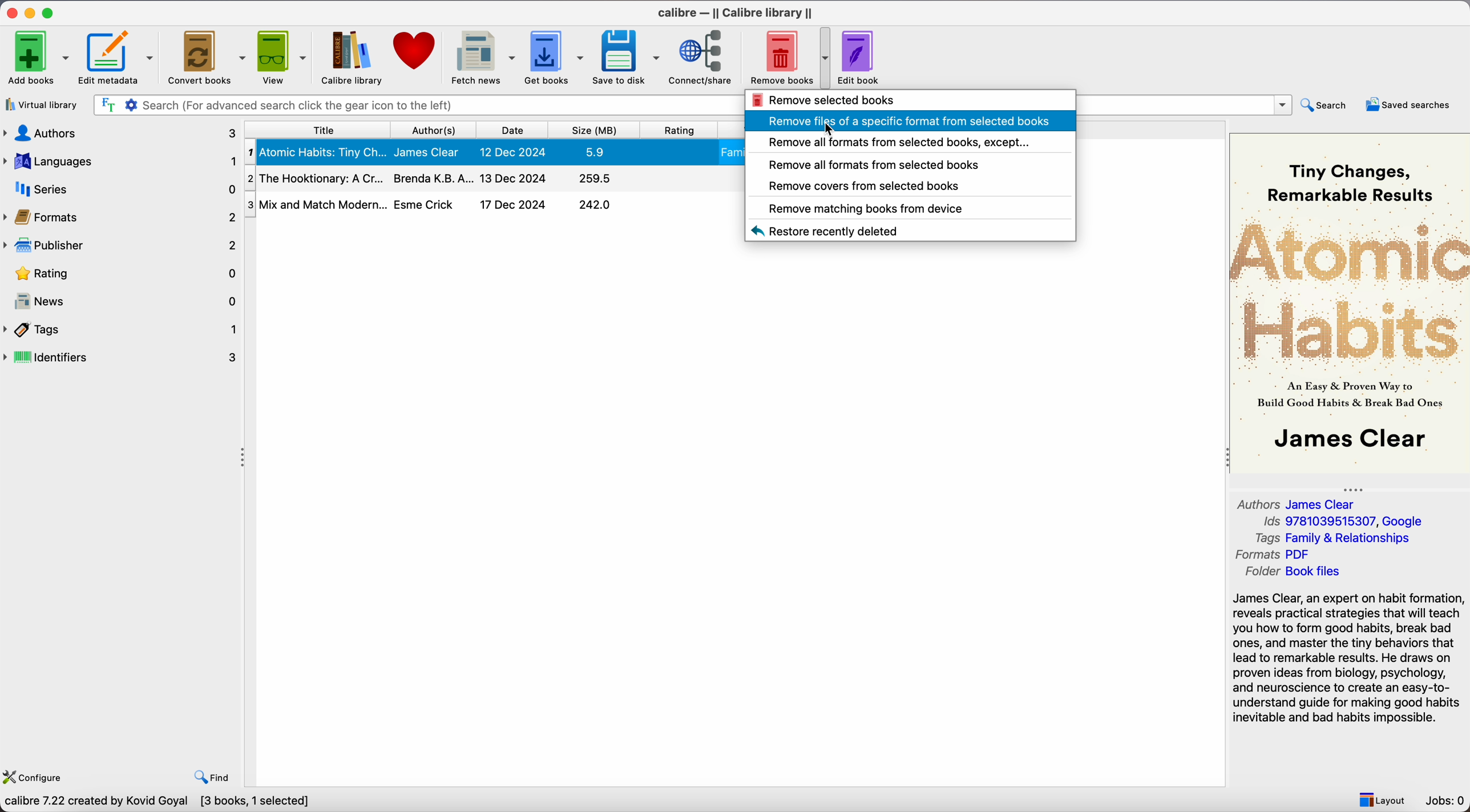  Describe the element at coordinates (118, 58) in the screenshot. I see `edit metadata` at that location.